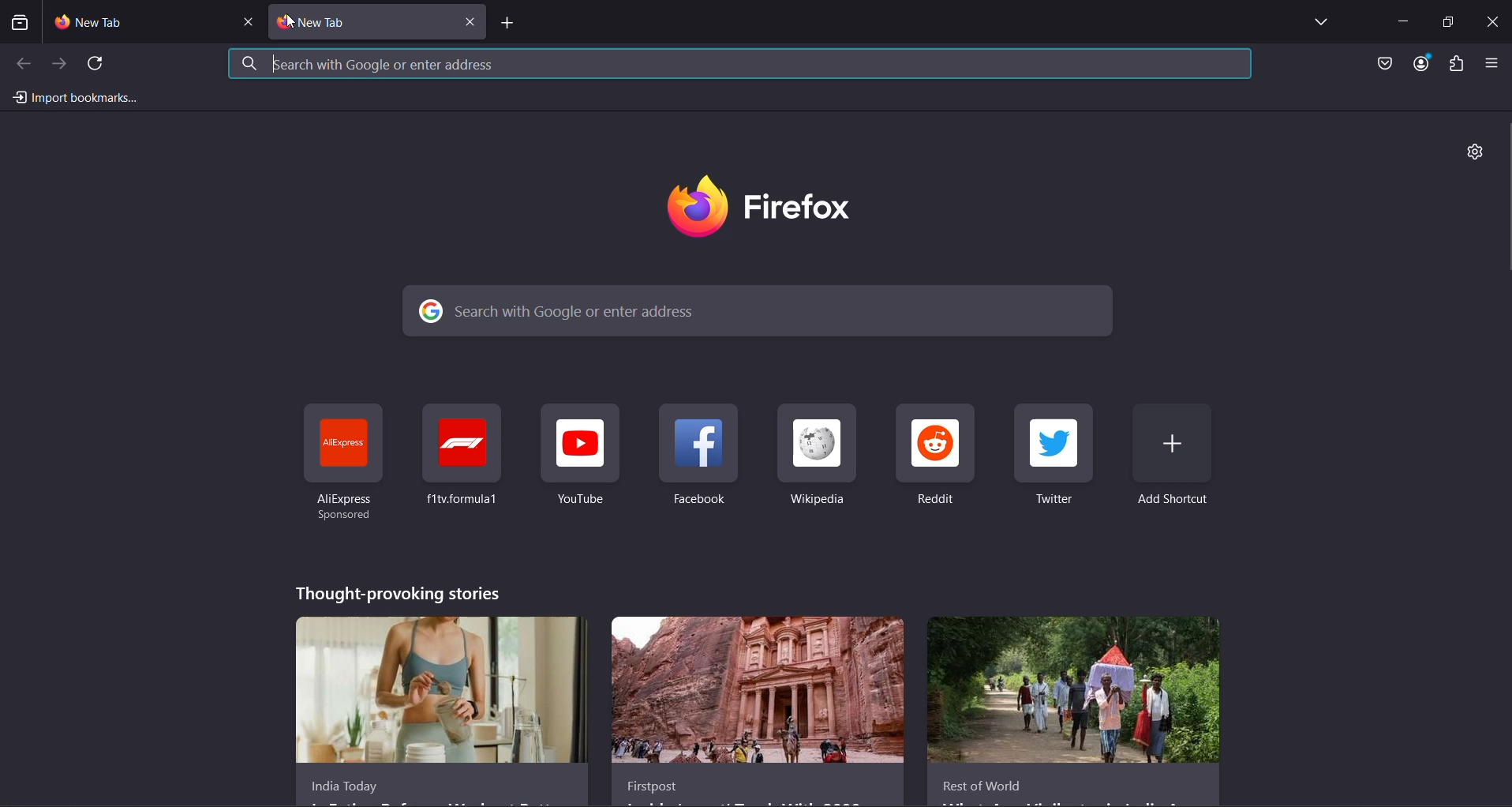  Describe the element at coordinates (442, 712) in the screenshot. I see `story` at that location.